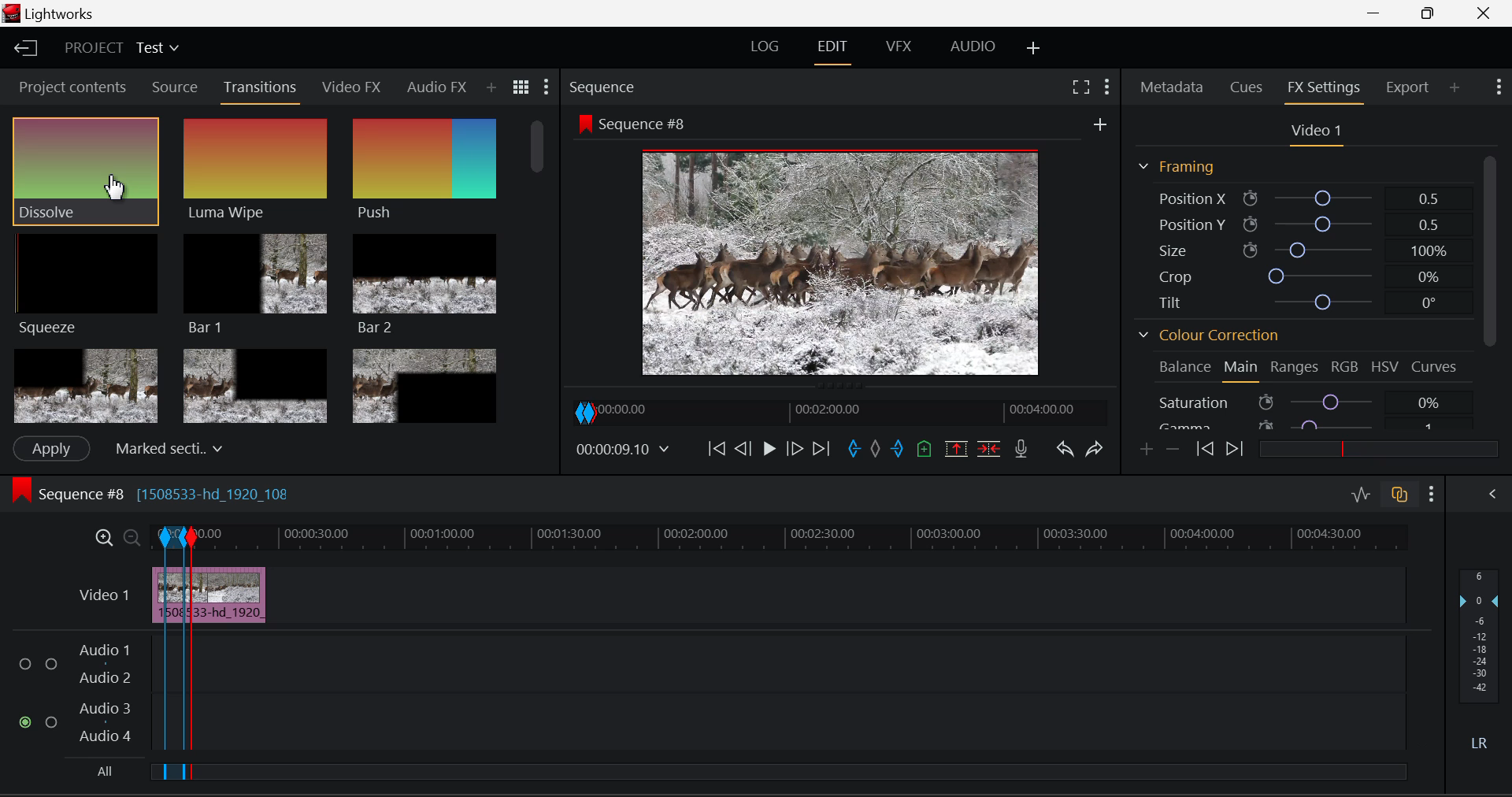 Image resolution: width=1512 pixels, height=797 pixels. What do you see at coordinates (767, 450) in the screenshot?
I see `Video Paused` at bounding box center [767, 450].